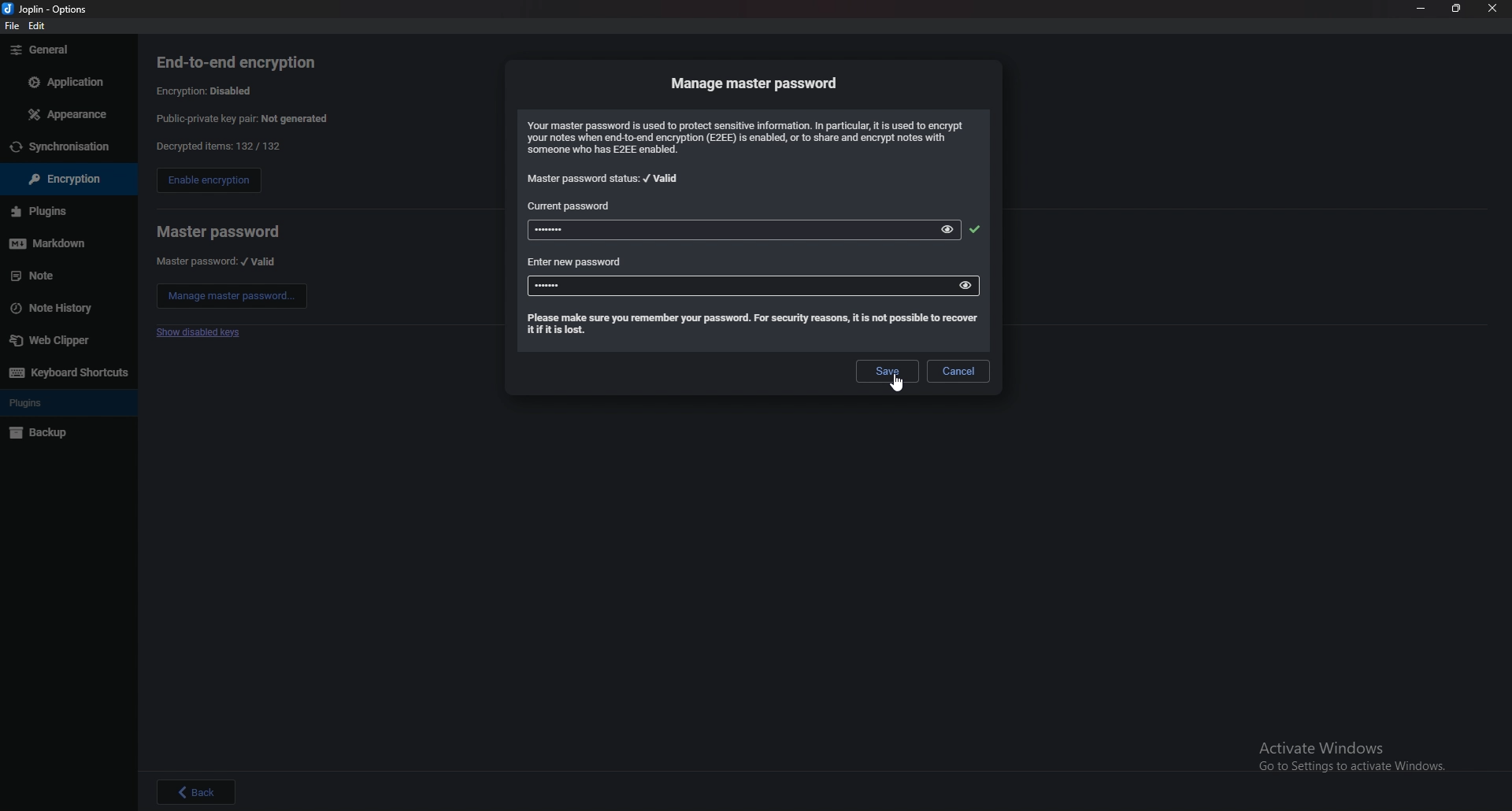  Describe the element at coordinates (217, 146) in the screenshot. I see `decrypted items` at that location.